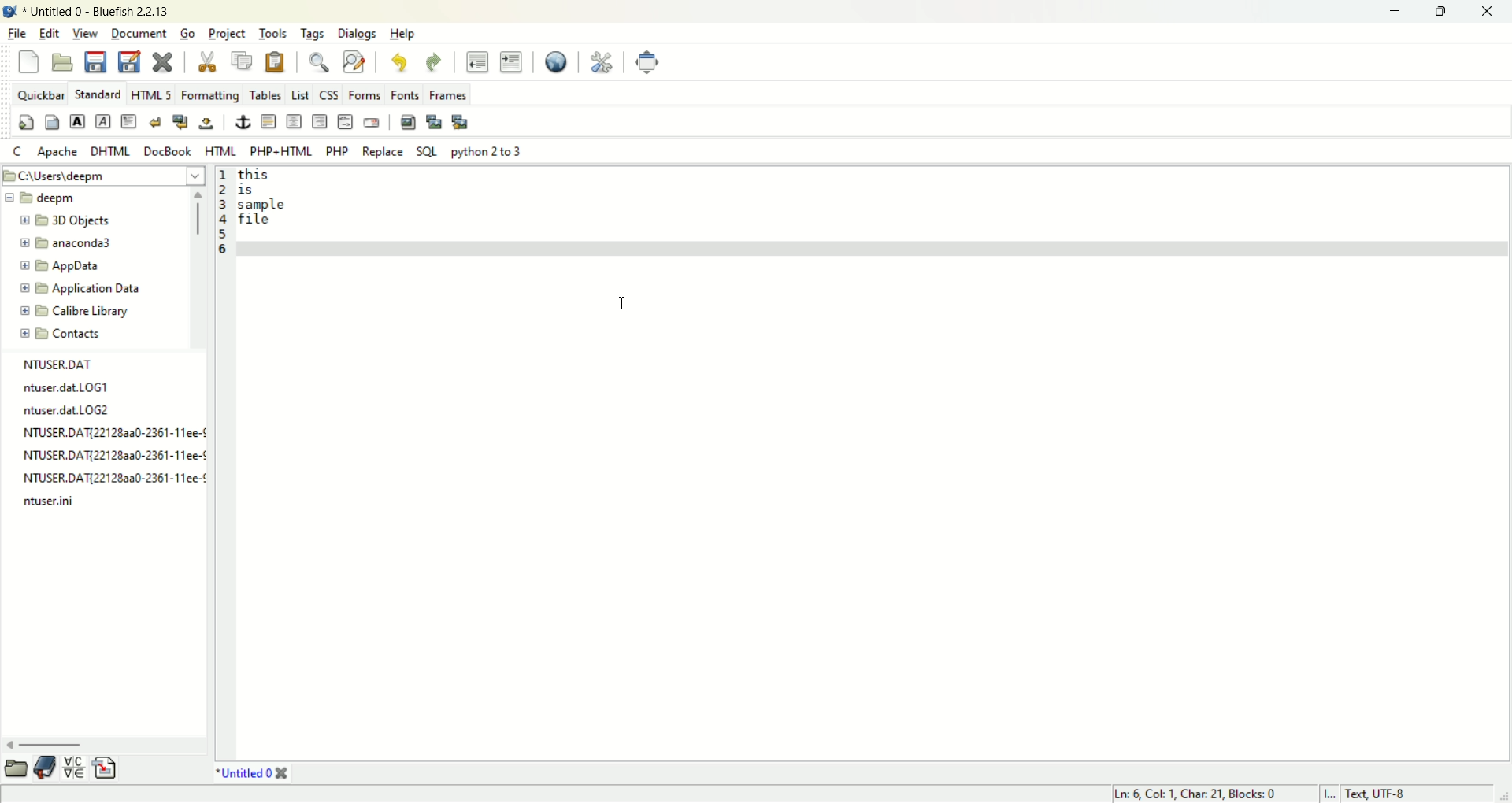 The image size is (1512, 803). What do you see at coordinates (294, 122) in the screenshot?
I see `center` at bounding box center [294, 122].